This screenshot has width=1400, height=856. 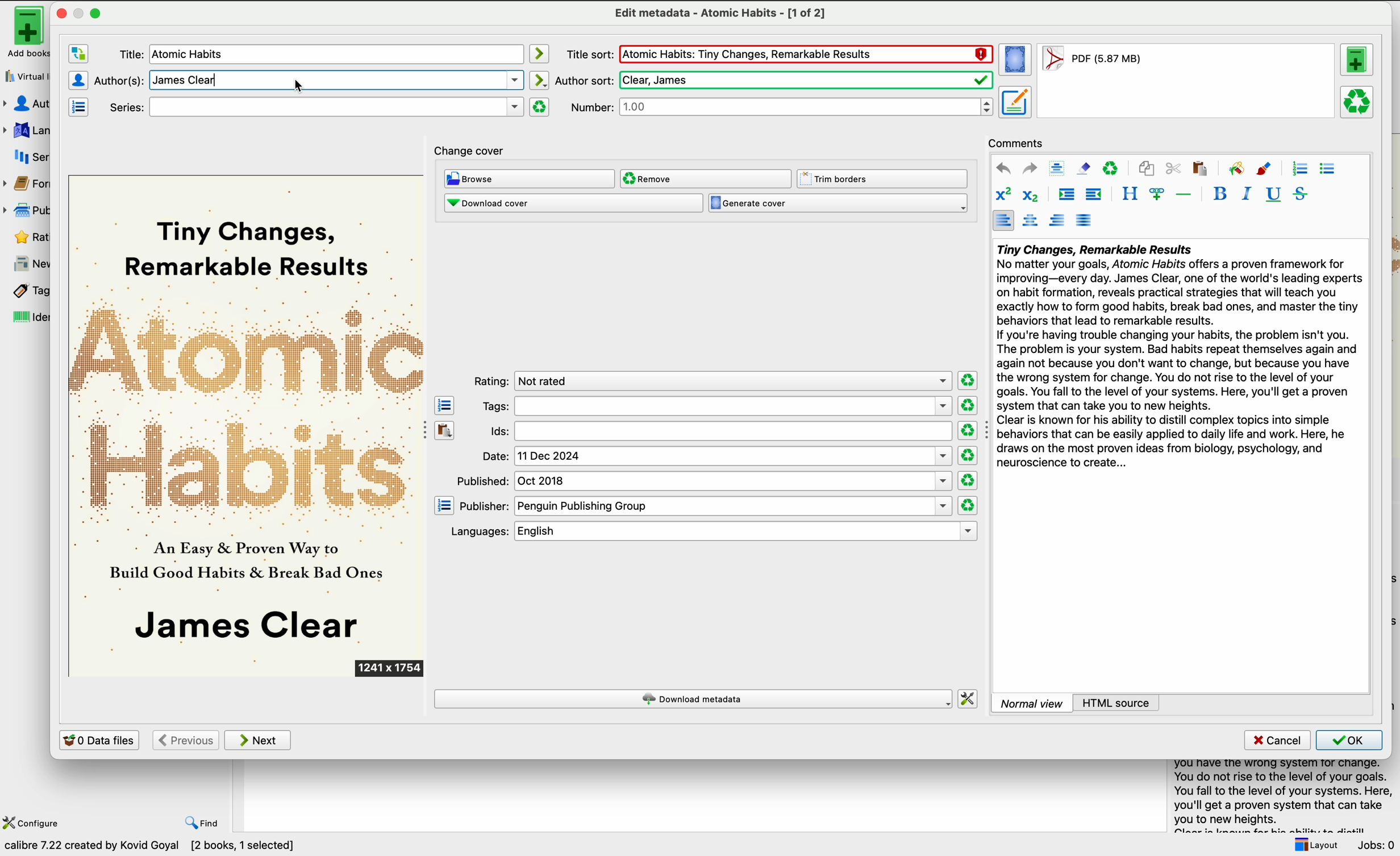 What do you see at coordinates (1085, 220) in the screenshot?
I see `align justified` at bounding box center [1085, 220].